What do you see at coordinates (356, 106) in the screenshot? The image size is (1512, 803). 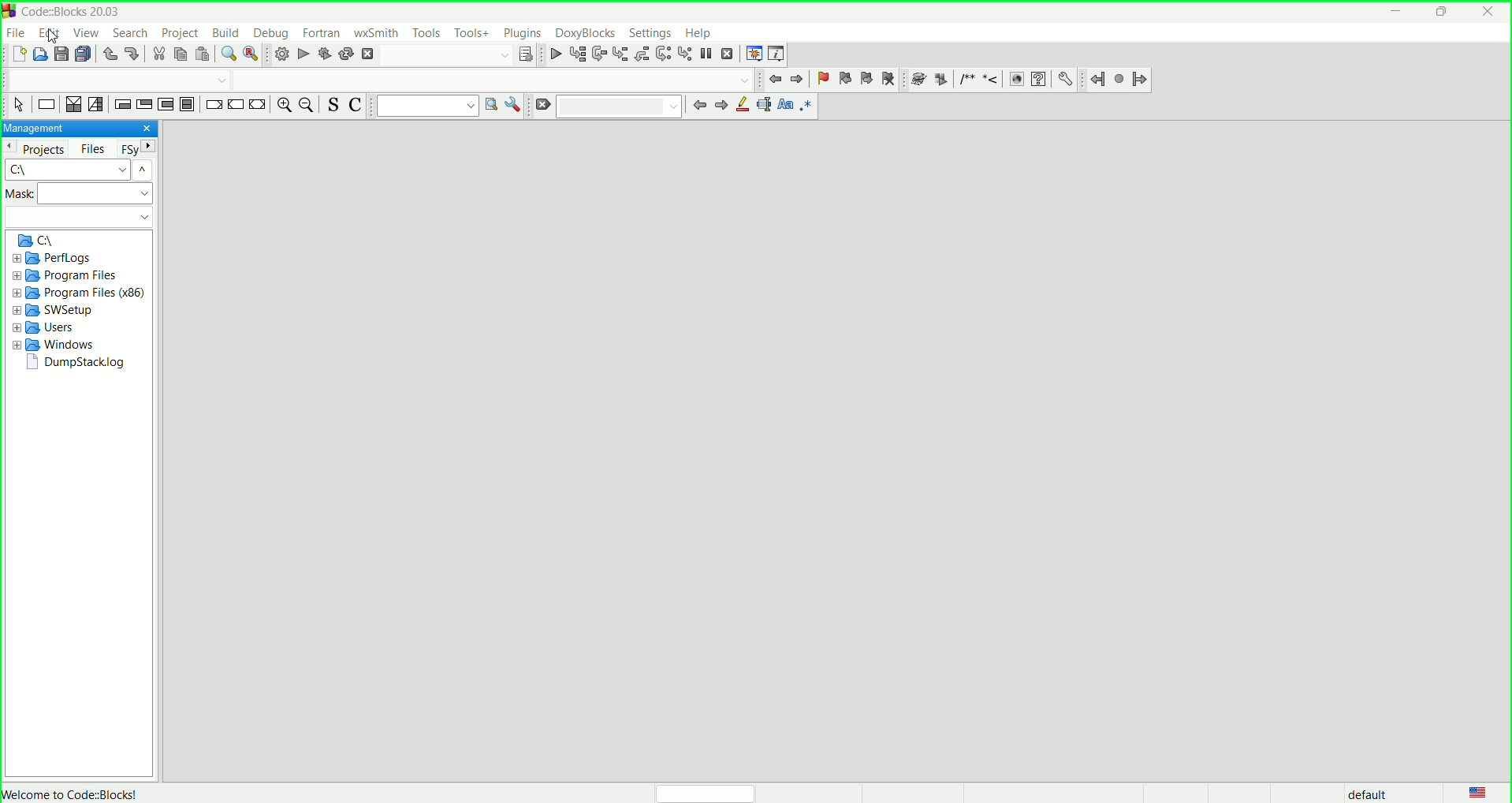 I see `toggle comment` at bounding box center [356, 106].